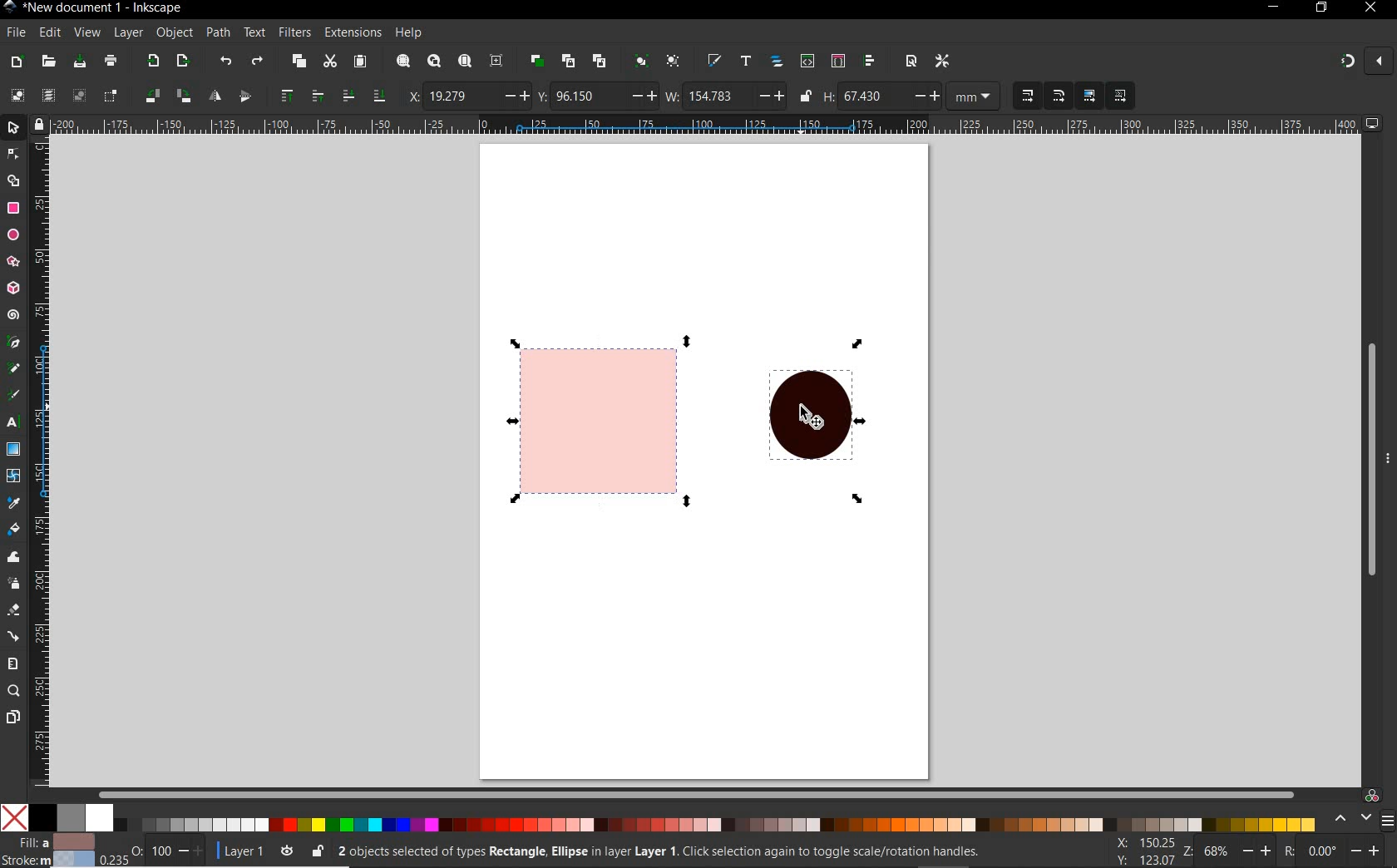 The height and width of the screenshot is (868, 1397). What do you see at coordinates (12, 664) in the screenshot?
I see `measure tool` at bounding box center [12, 664].